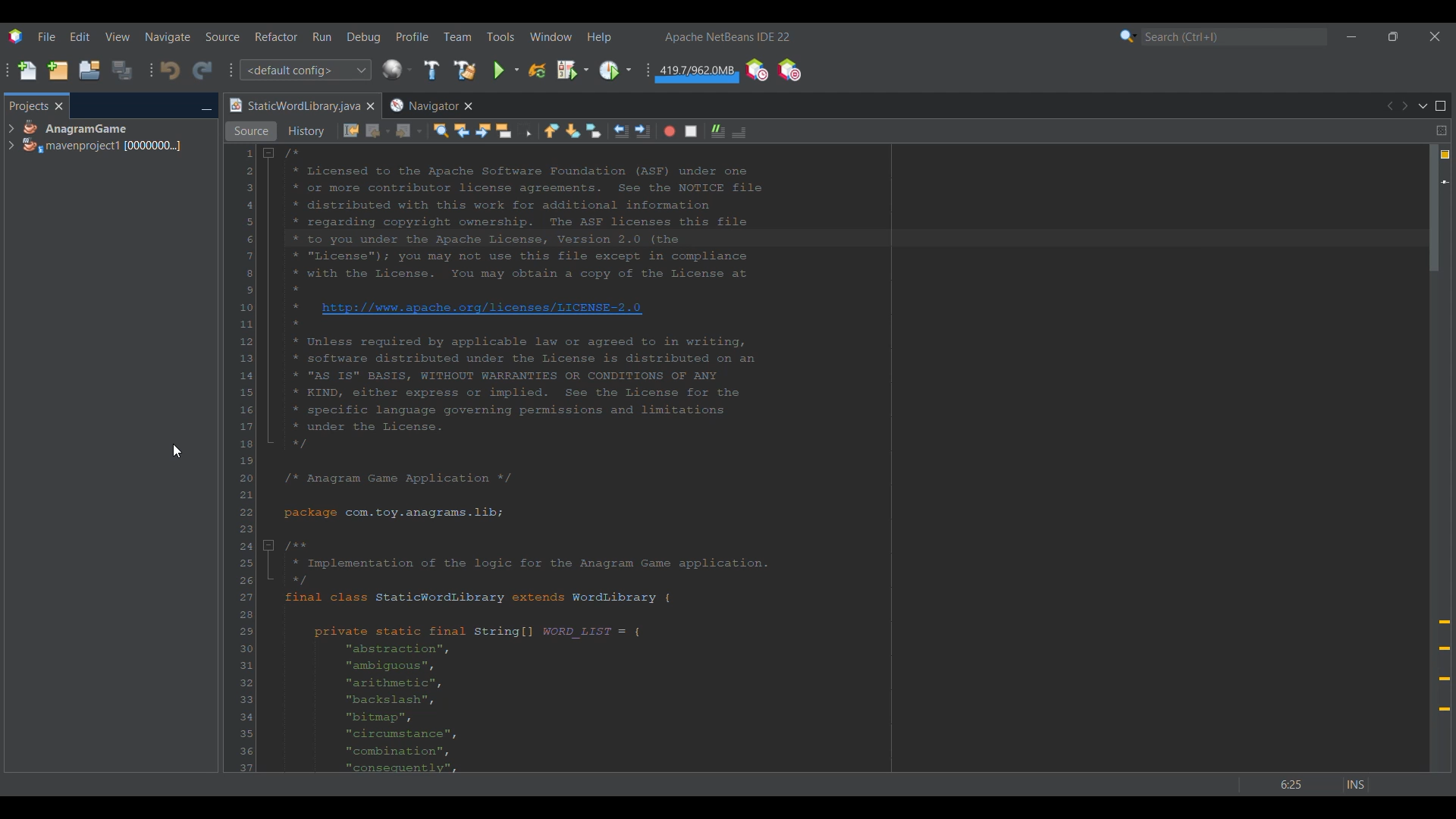  I want to click on Project options, so click(103, 136).